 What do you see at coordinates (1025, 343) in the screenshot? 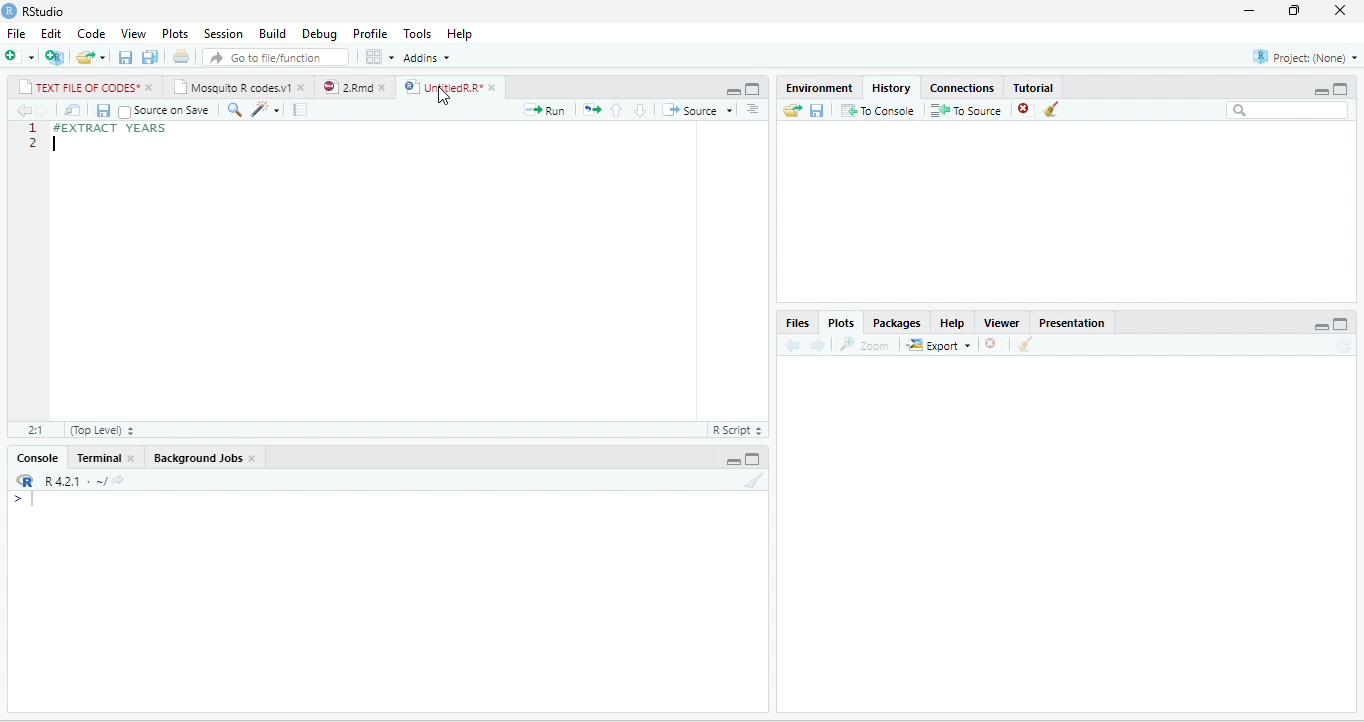
I see `clear` at bounding box center [1025, 343].